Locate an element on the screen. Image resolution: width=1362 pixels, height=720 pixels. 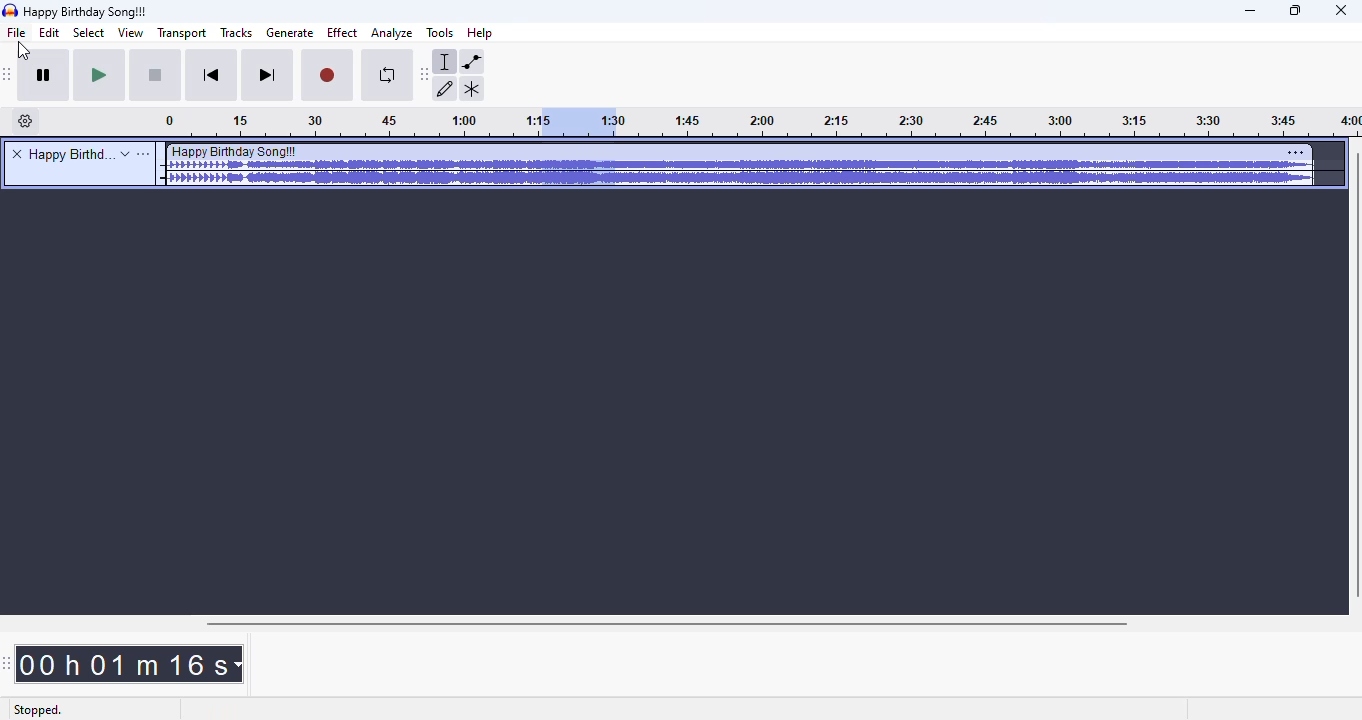
draw tool is located at coordinates (449, 91).